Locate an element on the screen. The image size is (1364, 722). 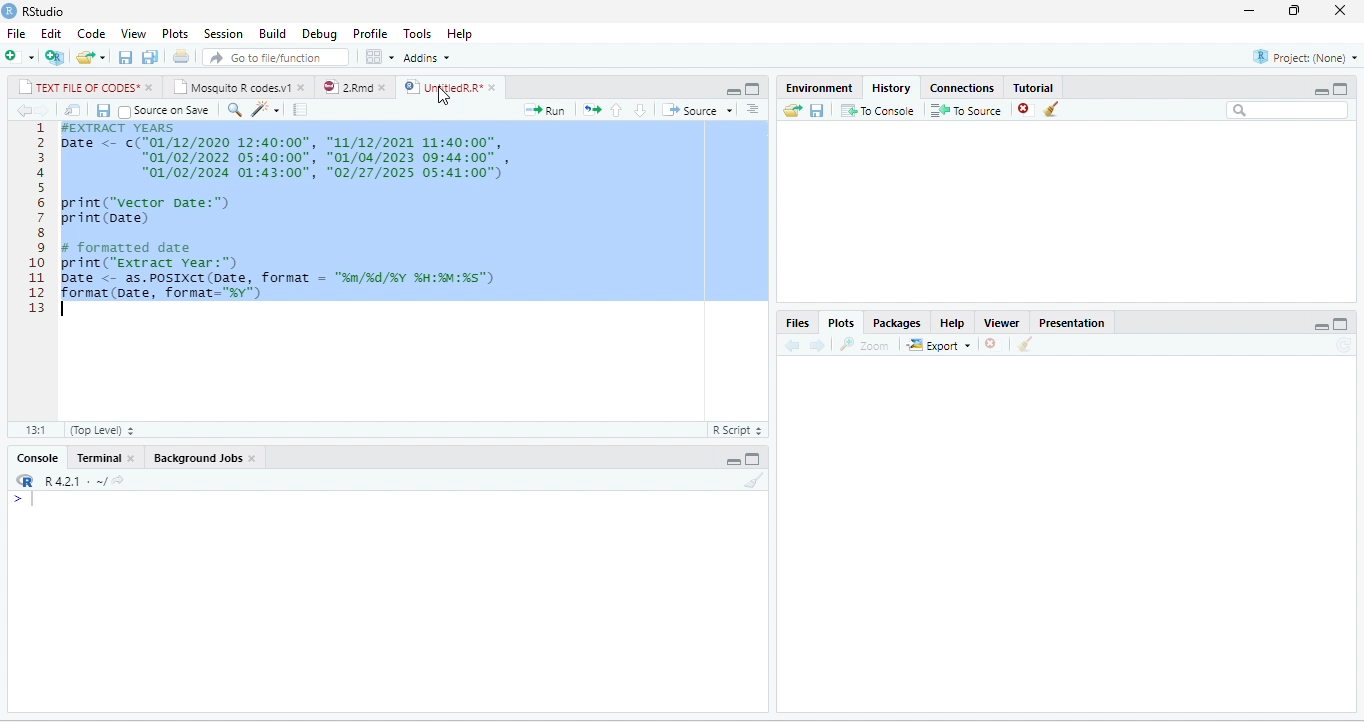
Build is located at coordinates (273, 34).